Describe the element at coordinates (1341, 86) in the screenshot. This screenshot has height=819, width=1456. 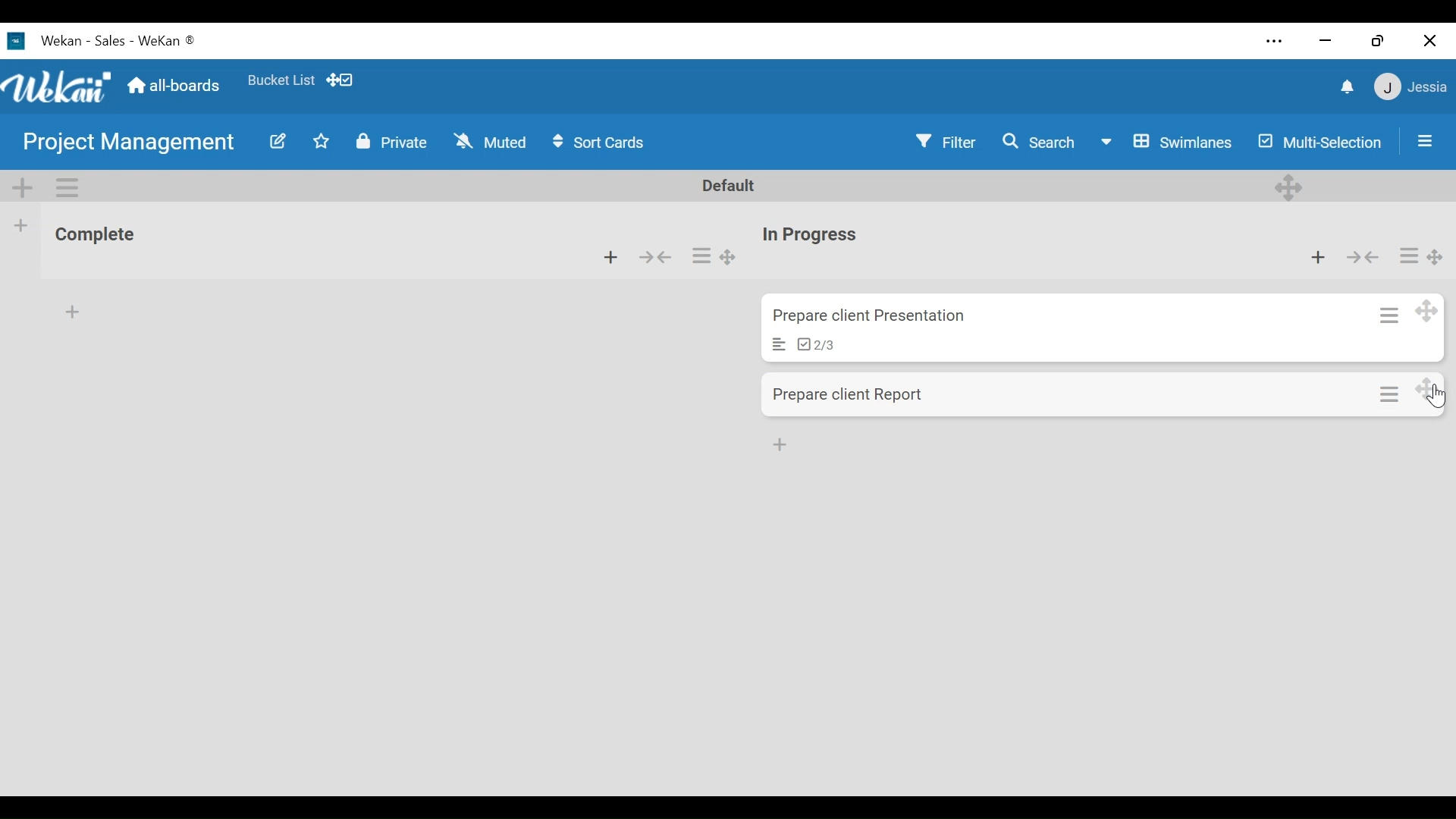
I see `notifications` at that location.